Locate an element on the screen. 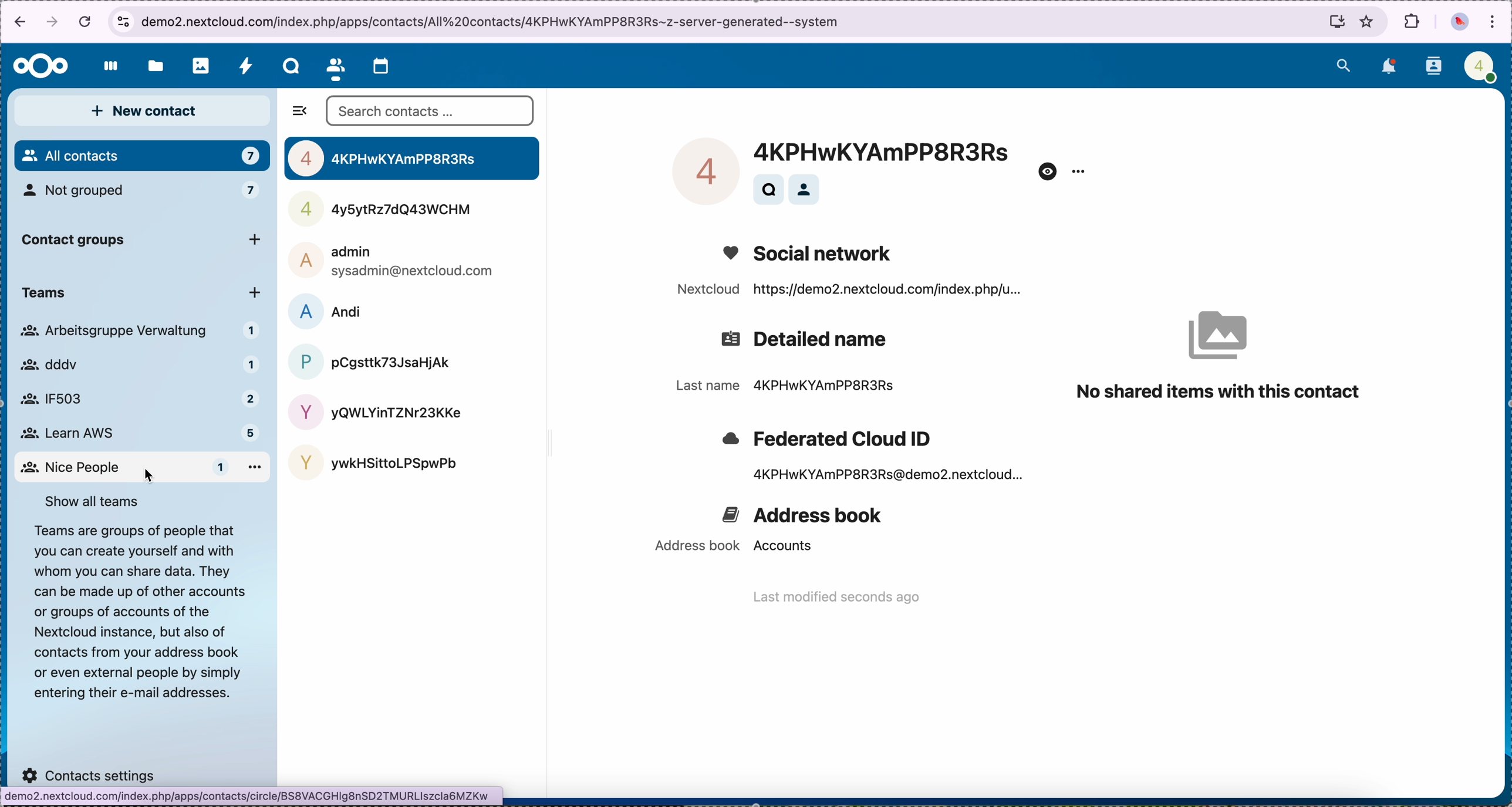 This screenshot has height=807, width=1512. photos is located at coordinates (197, 65).